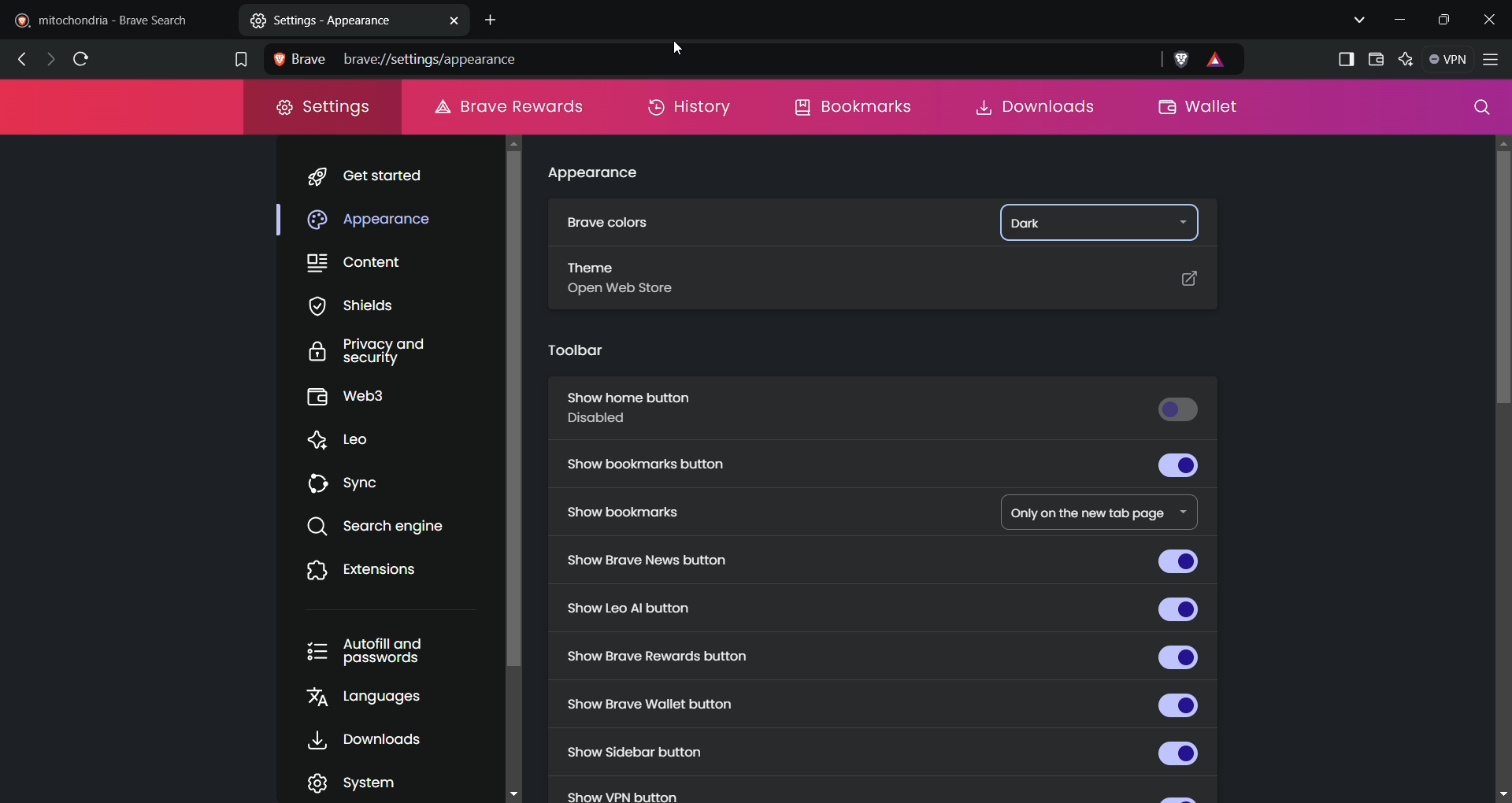 Image resolution: width=1512 pixels, height=803 pixels. What do you see at coordinates (669, 52) in the screenshot?
I see `cursor` at bounding box center [669, 52].